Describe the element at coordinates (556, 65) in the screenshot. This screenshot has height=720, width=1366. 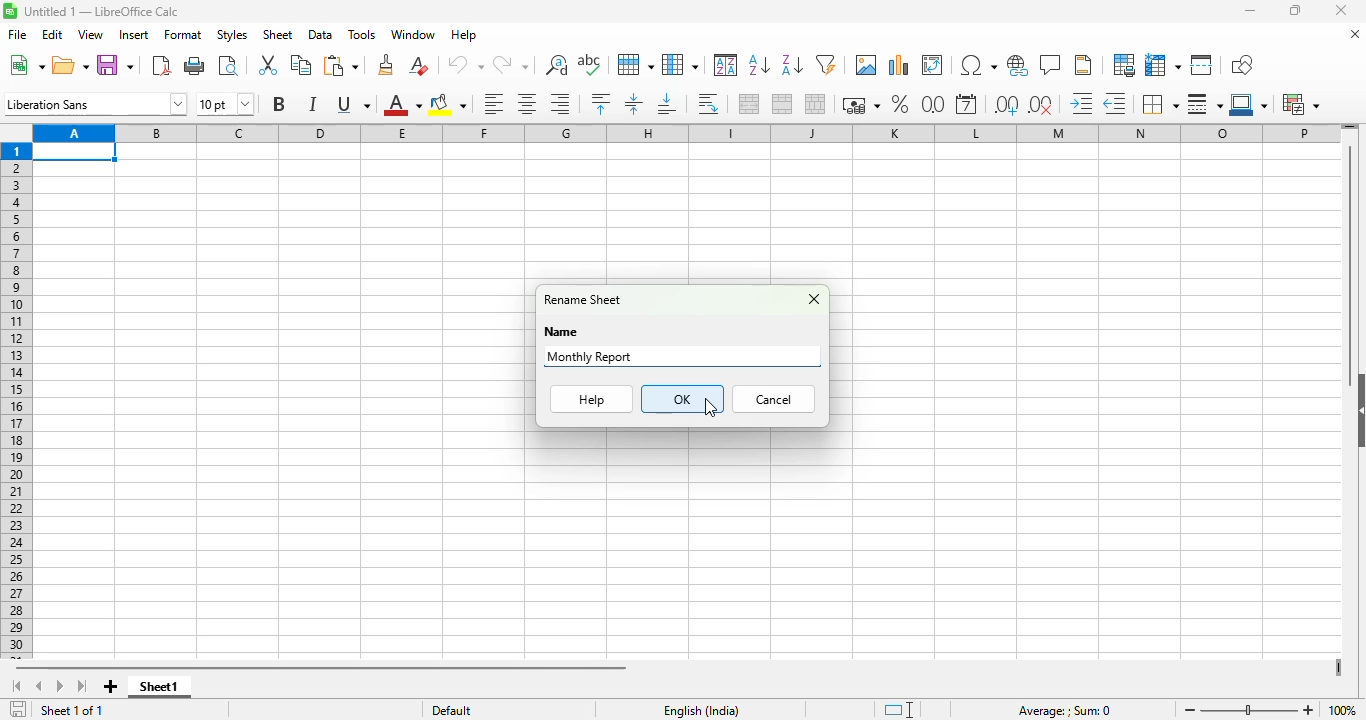
I see `find and replace` at that location.